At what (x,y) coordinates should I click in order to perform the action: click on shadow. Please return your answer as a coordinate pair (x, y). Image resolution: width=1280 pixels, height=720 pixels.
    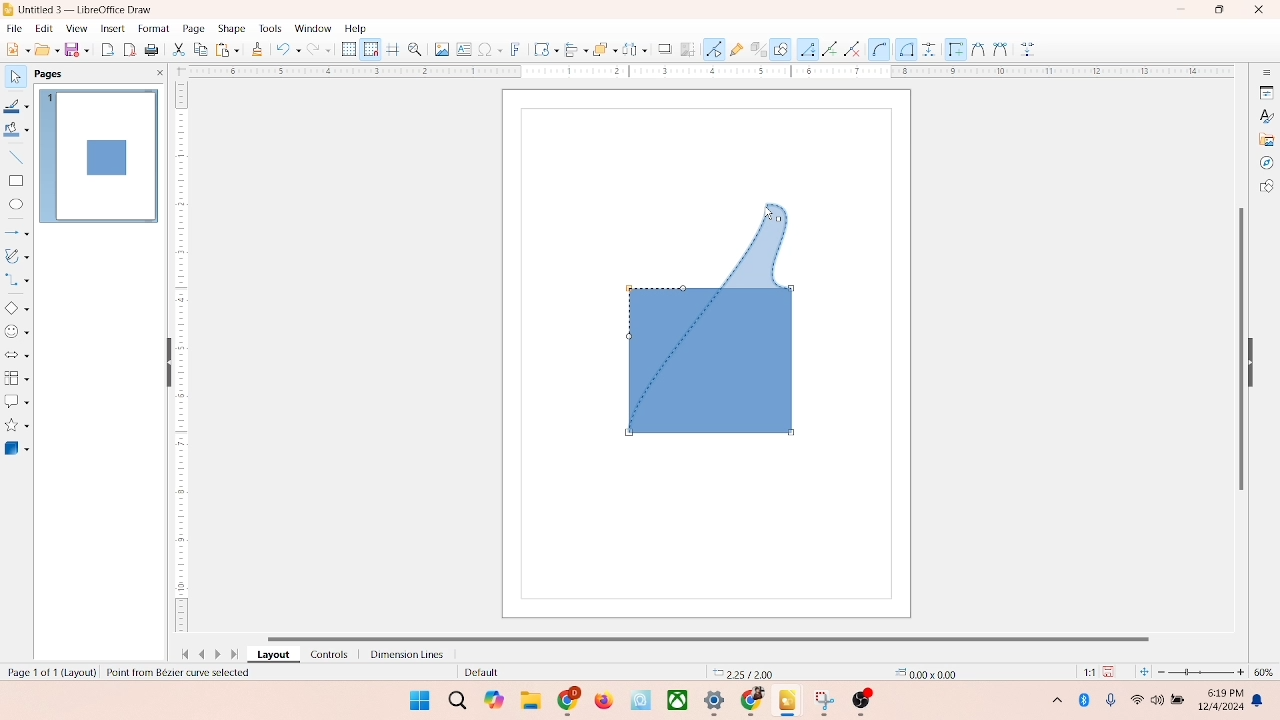
    Looking at the image, I should click on (662, 47).